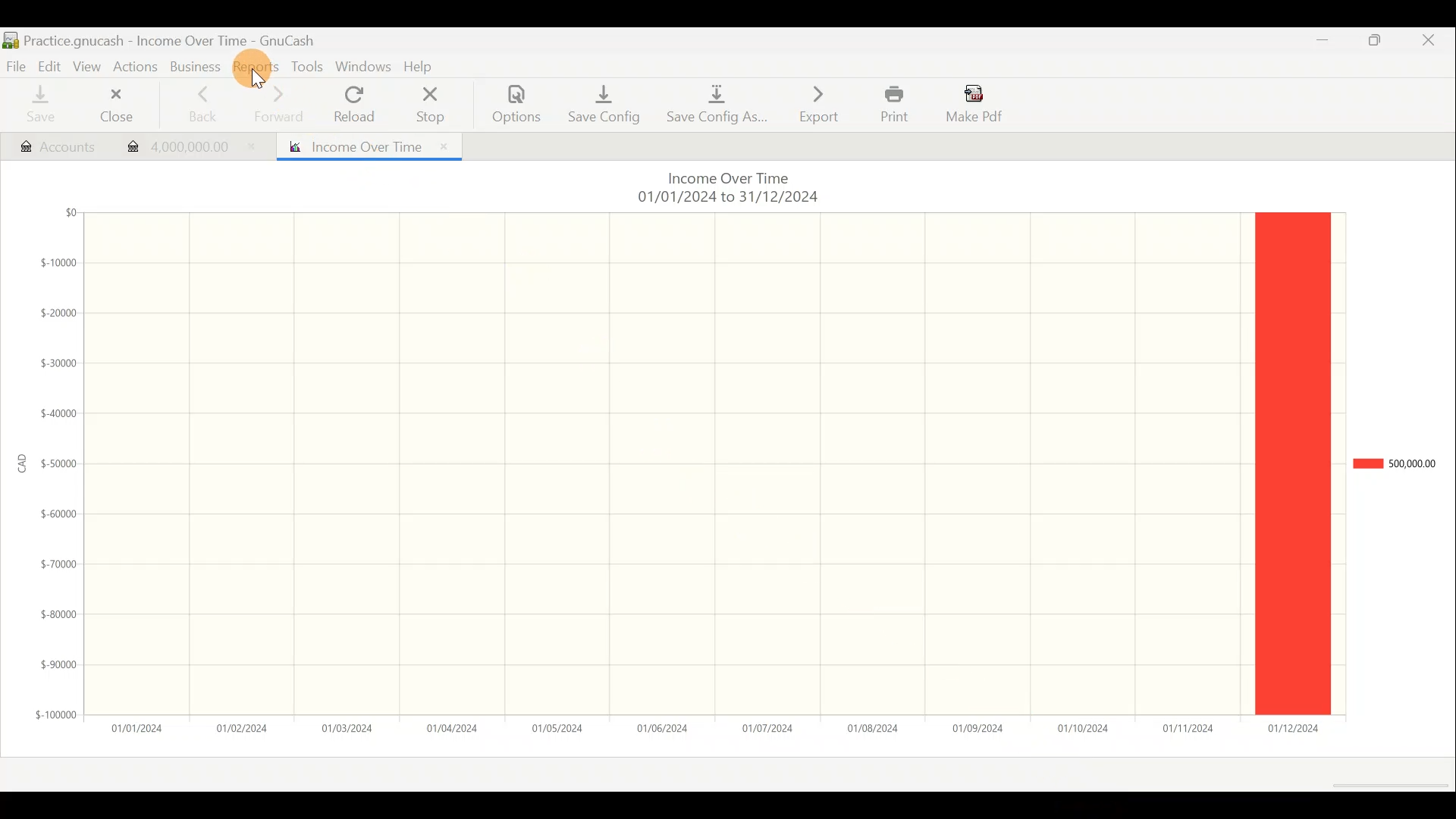 The image size is (1456, 819). I want to click on legend, so click(1293, 464).